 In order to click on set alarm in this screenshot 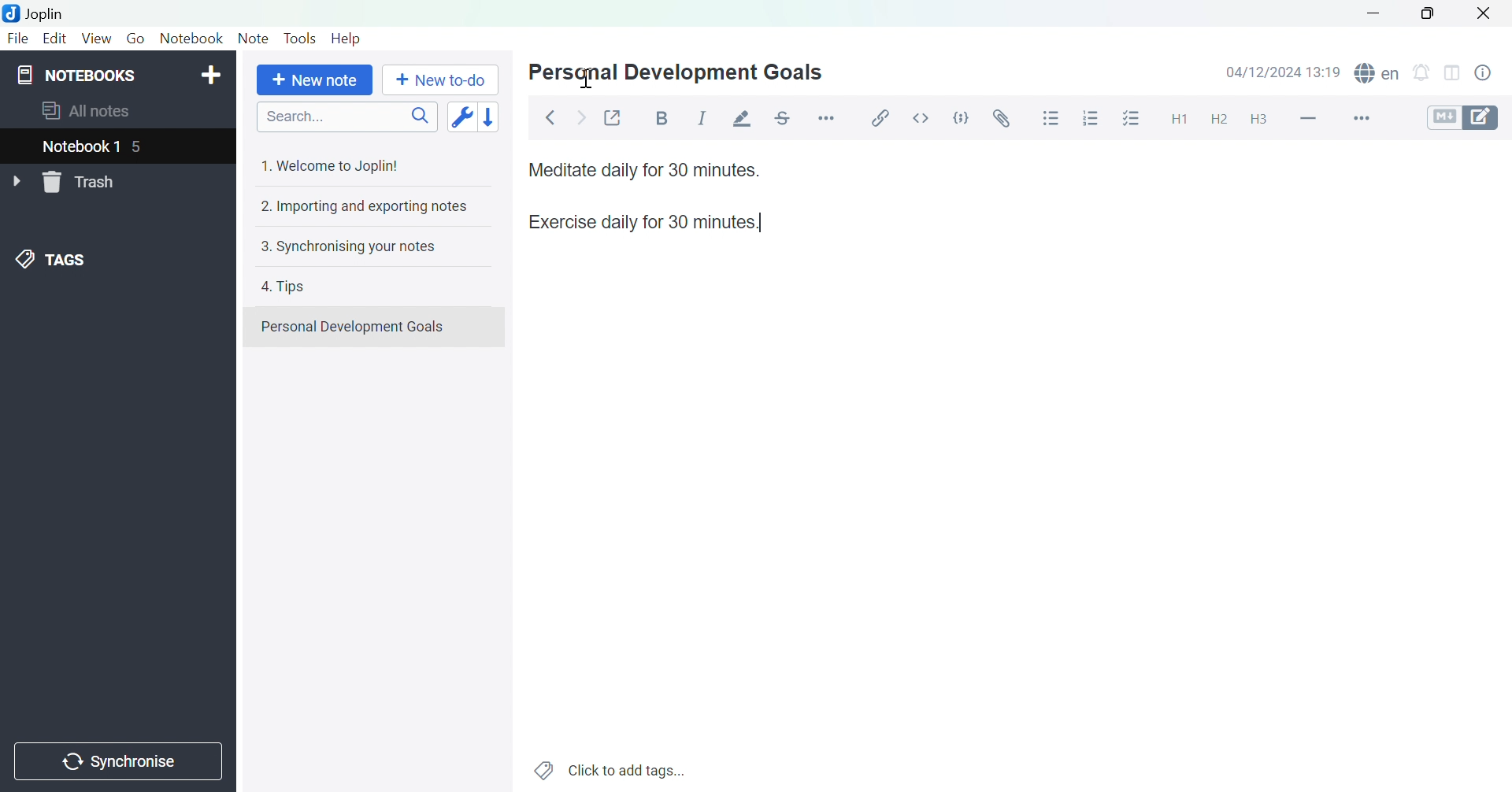, I will do `click(1425, 76)`.